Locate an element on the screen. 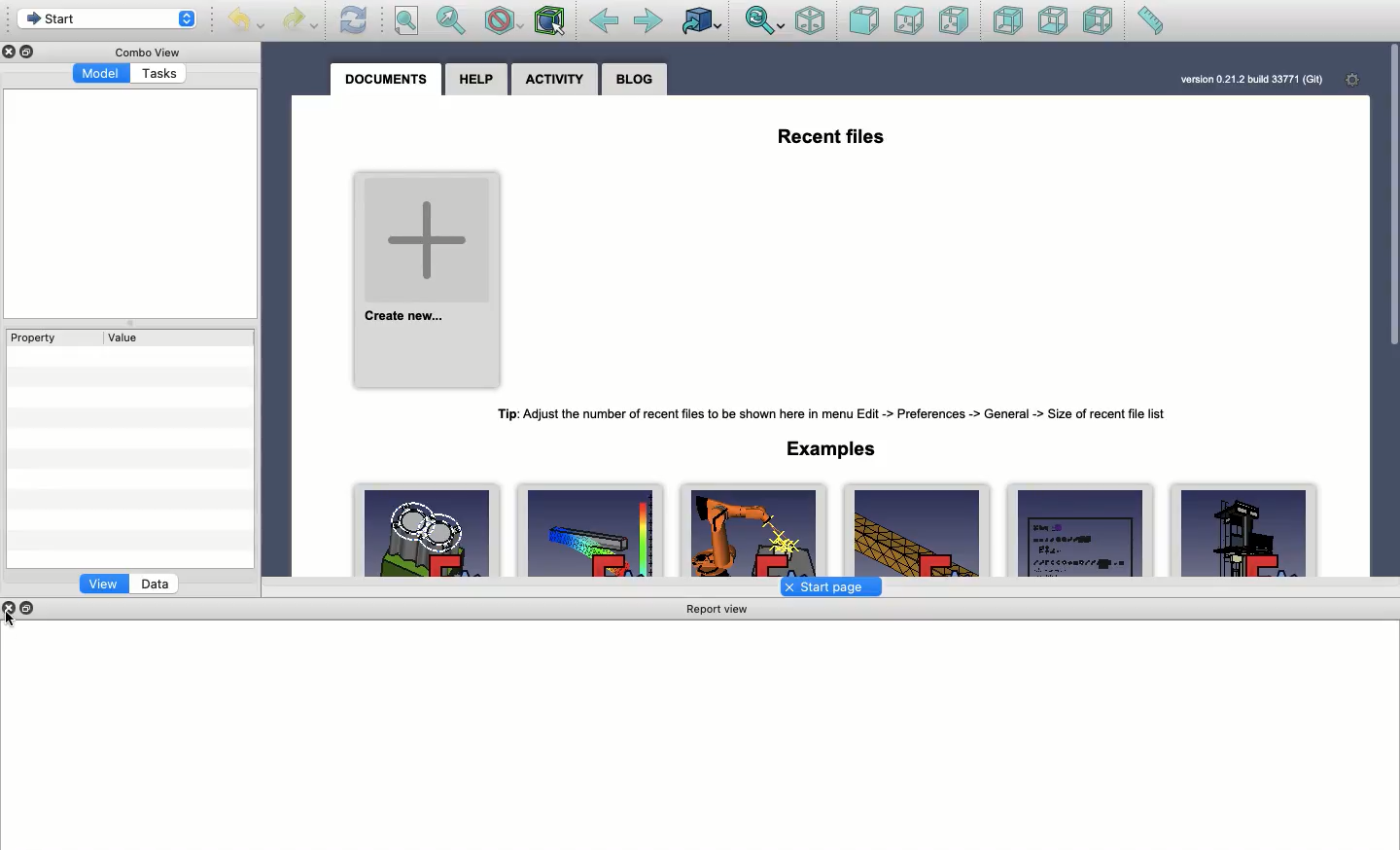  Start is located at coordinates (109, 20).